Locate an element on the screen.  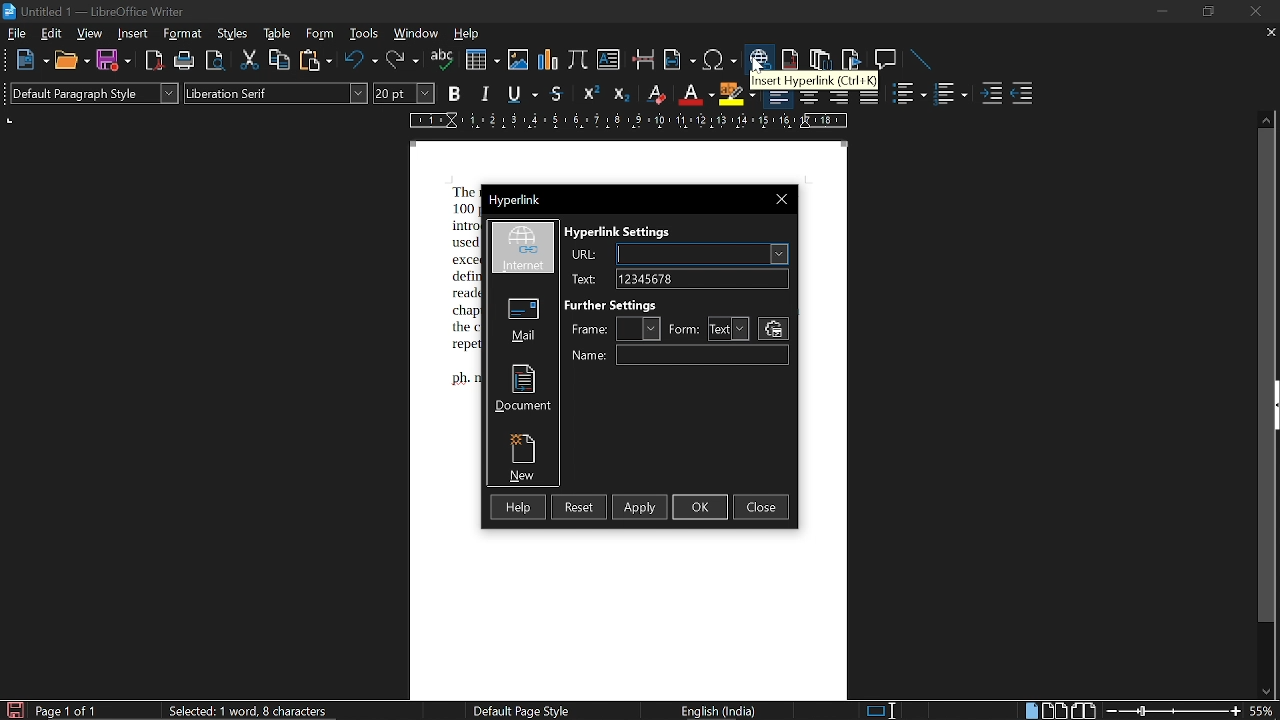
font style is located at coordinates (276, 93).